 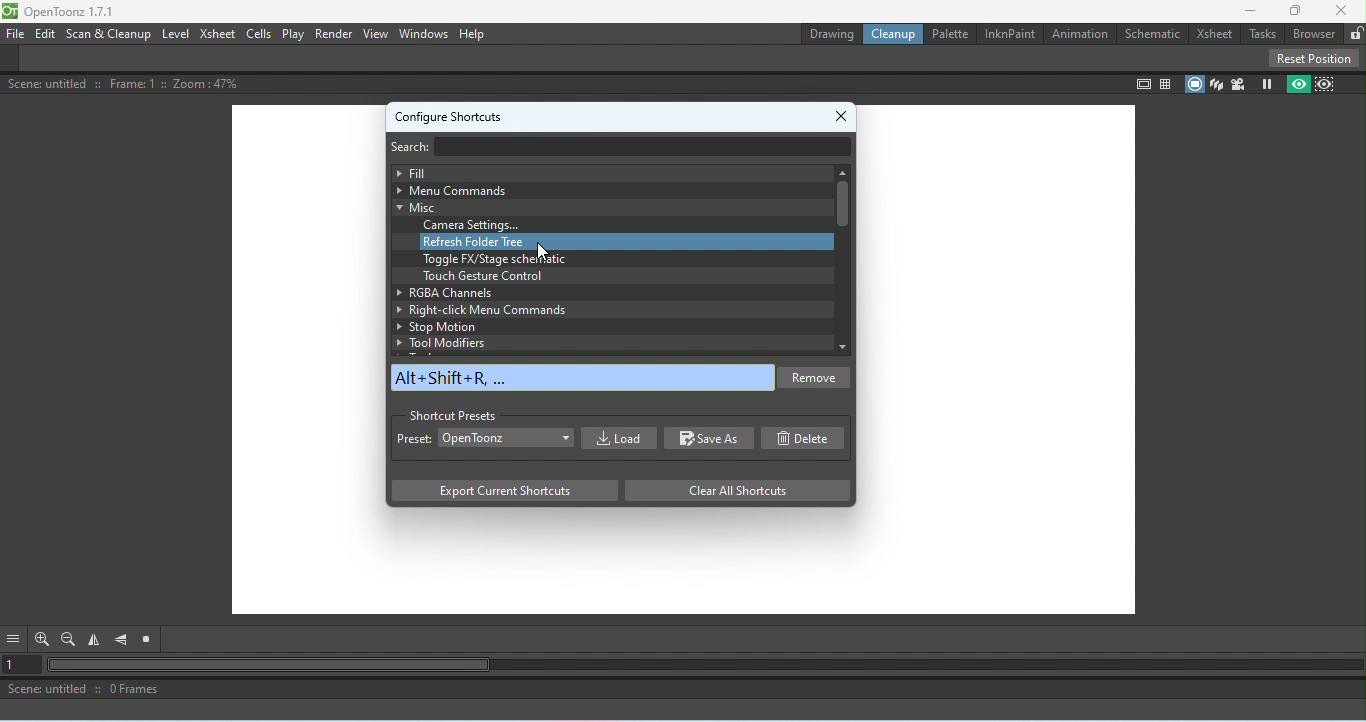 I want to click on Sub-camera preview, so click(x=1326, y=84).